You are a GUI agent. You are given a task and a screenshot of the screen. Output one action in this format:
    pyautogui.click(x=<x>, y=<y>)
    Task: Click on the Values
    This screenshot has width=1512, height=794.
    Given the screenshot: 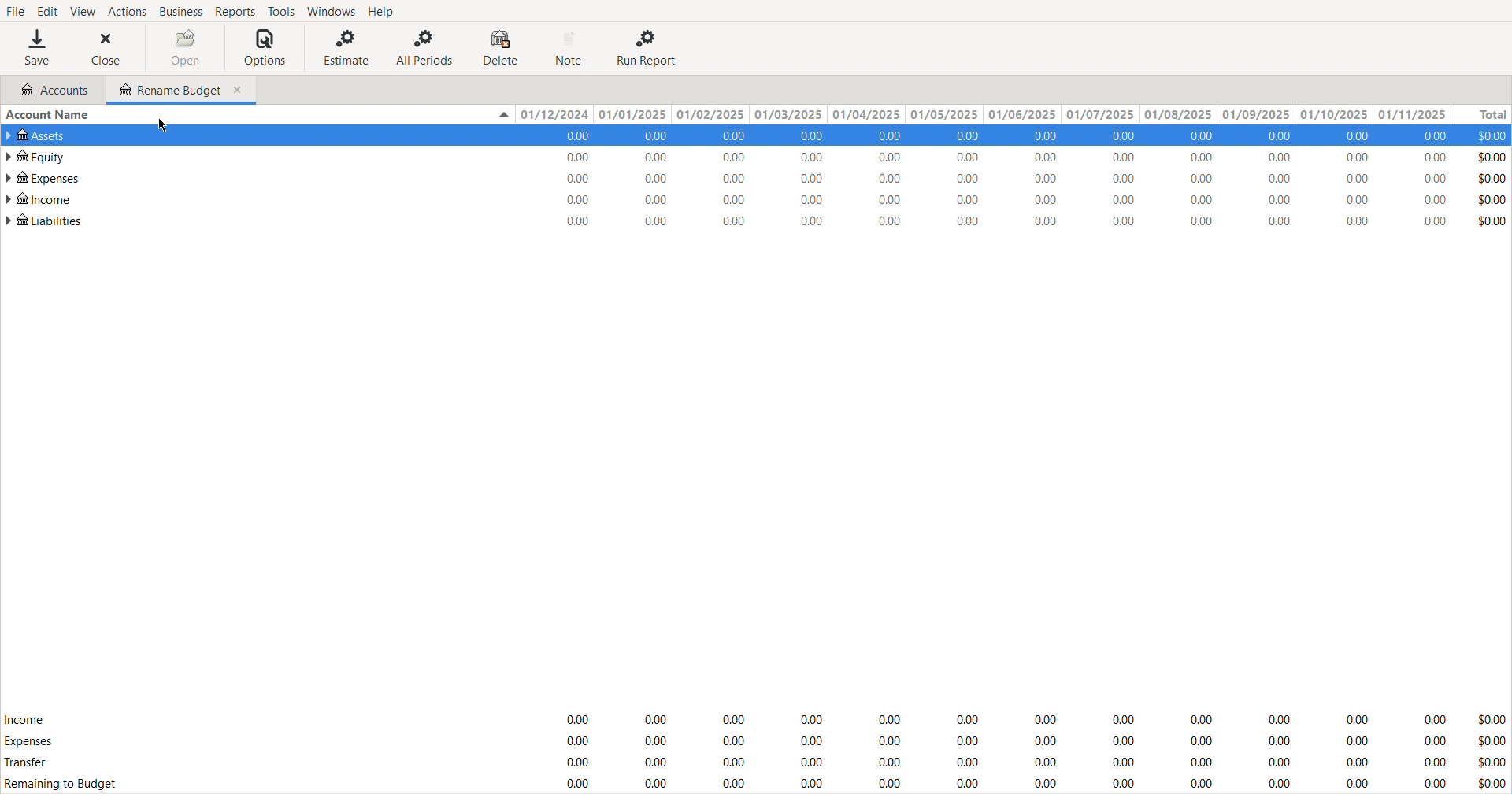 What is the action you would take?
    pyautogui.click(x=1031, y=748)
    